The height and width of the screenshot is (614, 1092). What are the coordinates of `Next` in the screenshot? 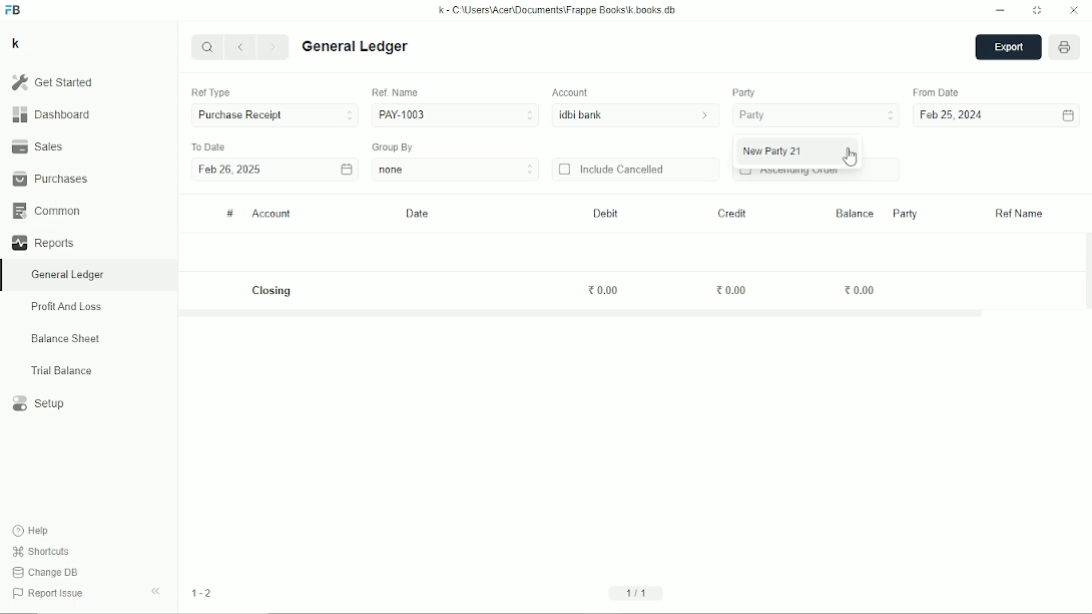 It's located at (275, 48).